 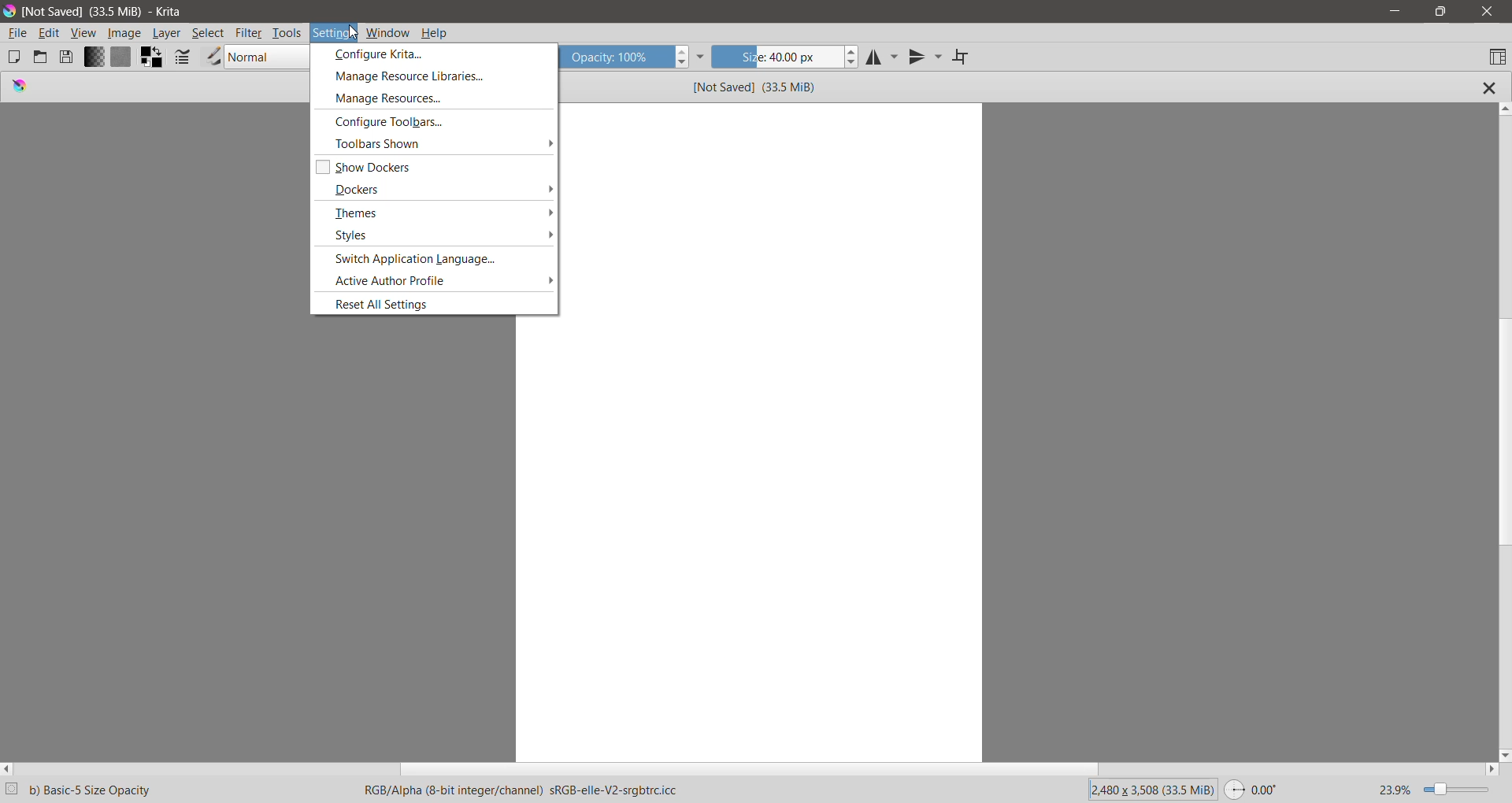 What do you see at coordinates (152, 57) in the screenshot?
I see `Swap foreground and background colors` at bounding box center [152, 57].